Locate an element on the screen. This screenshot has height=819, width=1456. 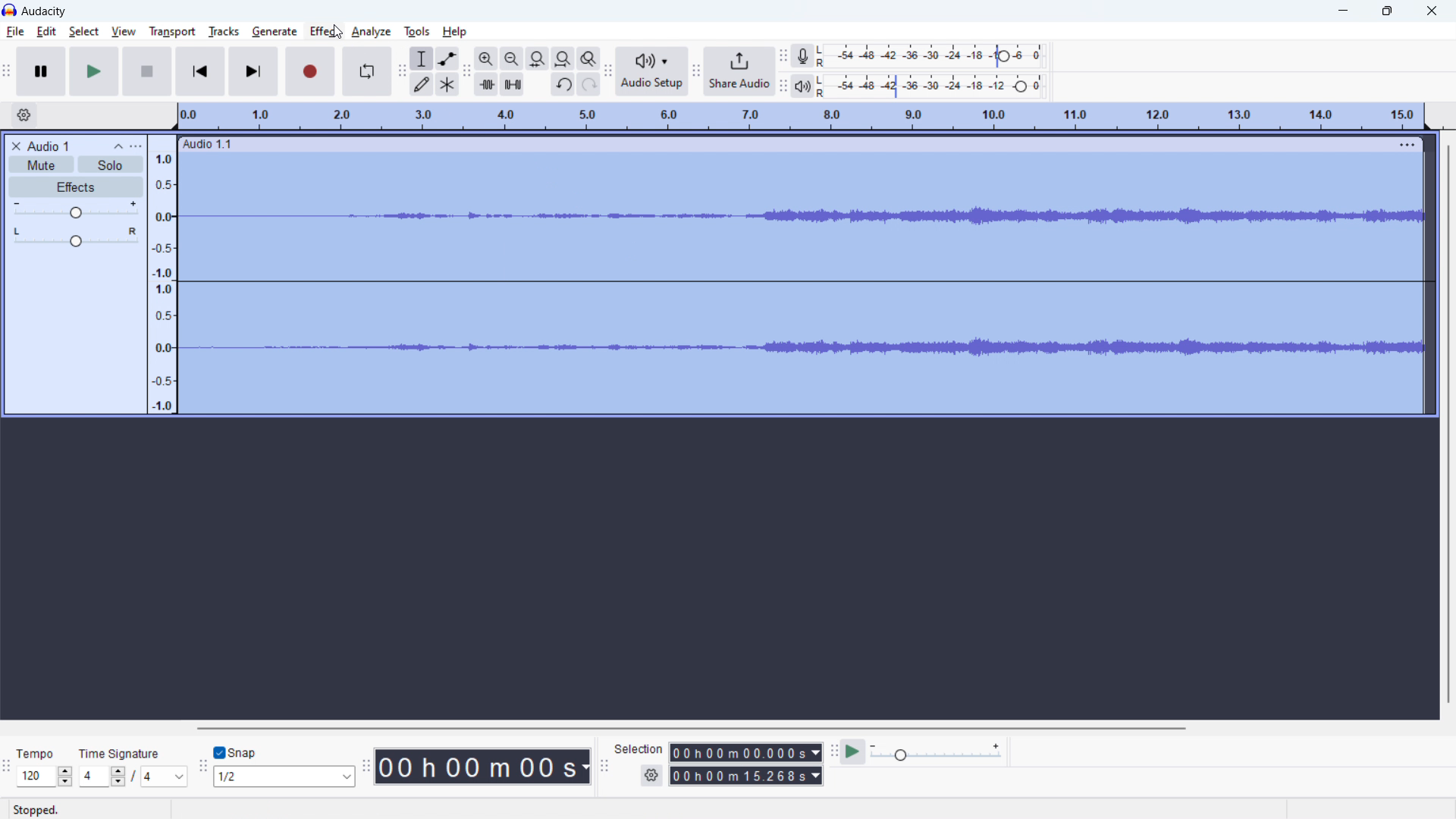
snap toggle is located at coordinates (236, 752).